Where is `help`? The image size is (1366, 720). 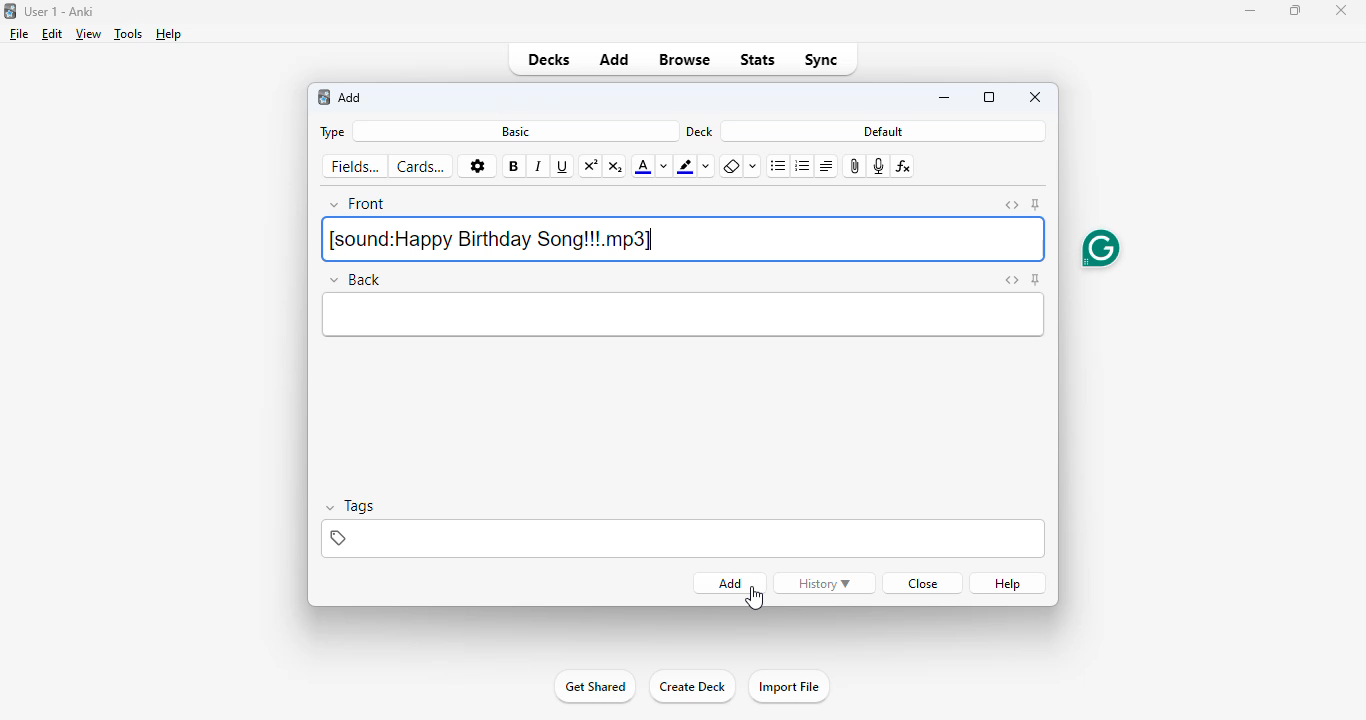 help is located at coordinates (1007, 584).